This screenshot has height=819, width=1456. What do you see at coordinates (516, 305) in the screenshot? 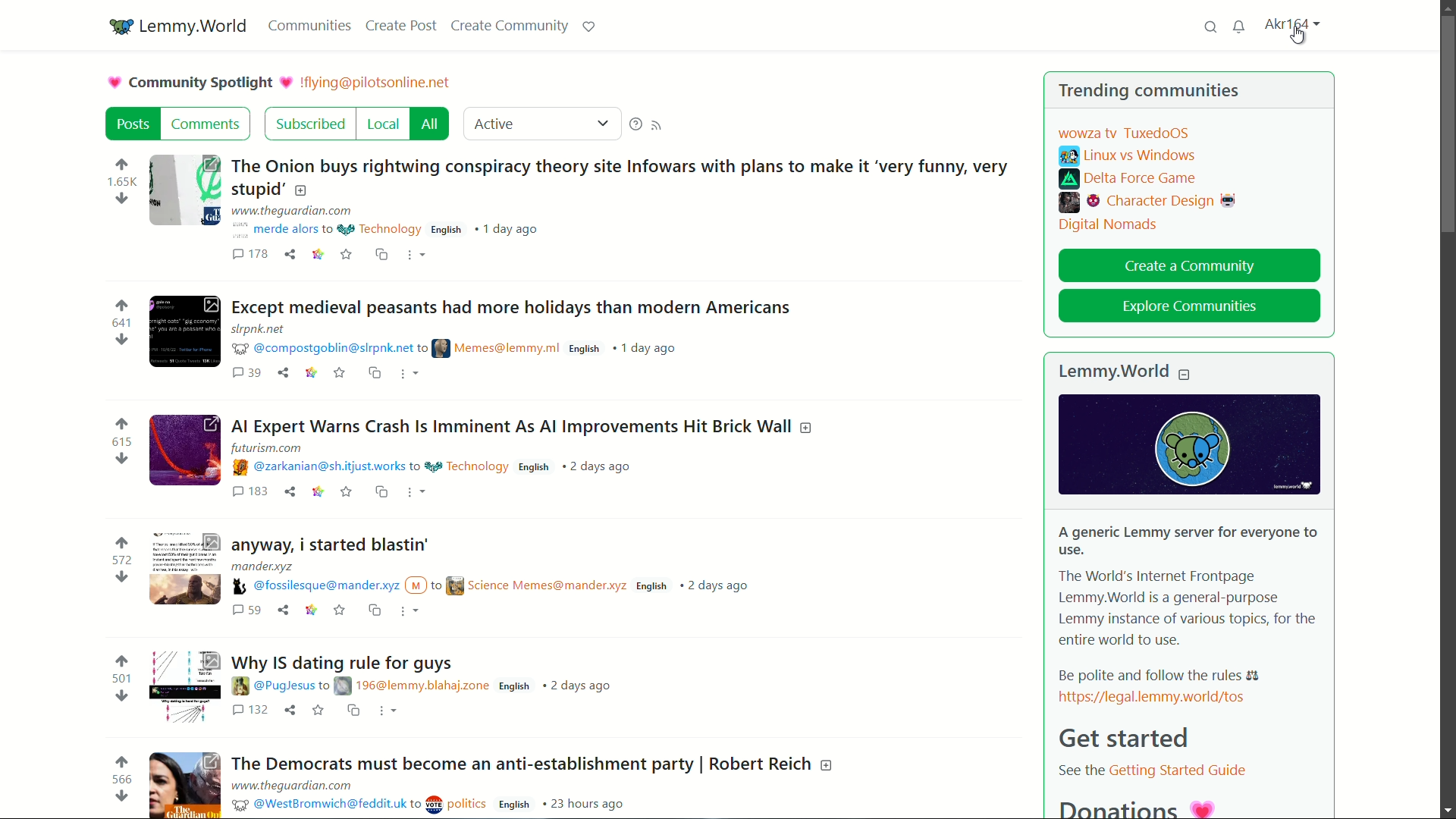
I see `post-2` at bounding box center [516, 305].